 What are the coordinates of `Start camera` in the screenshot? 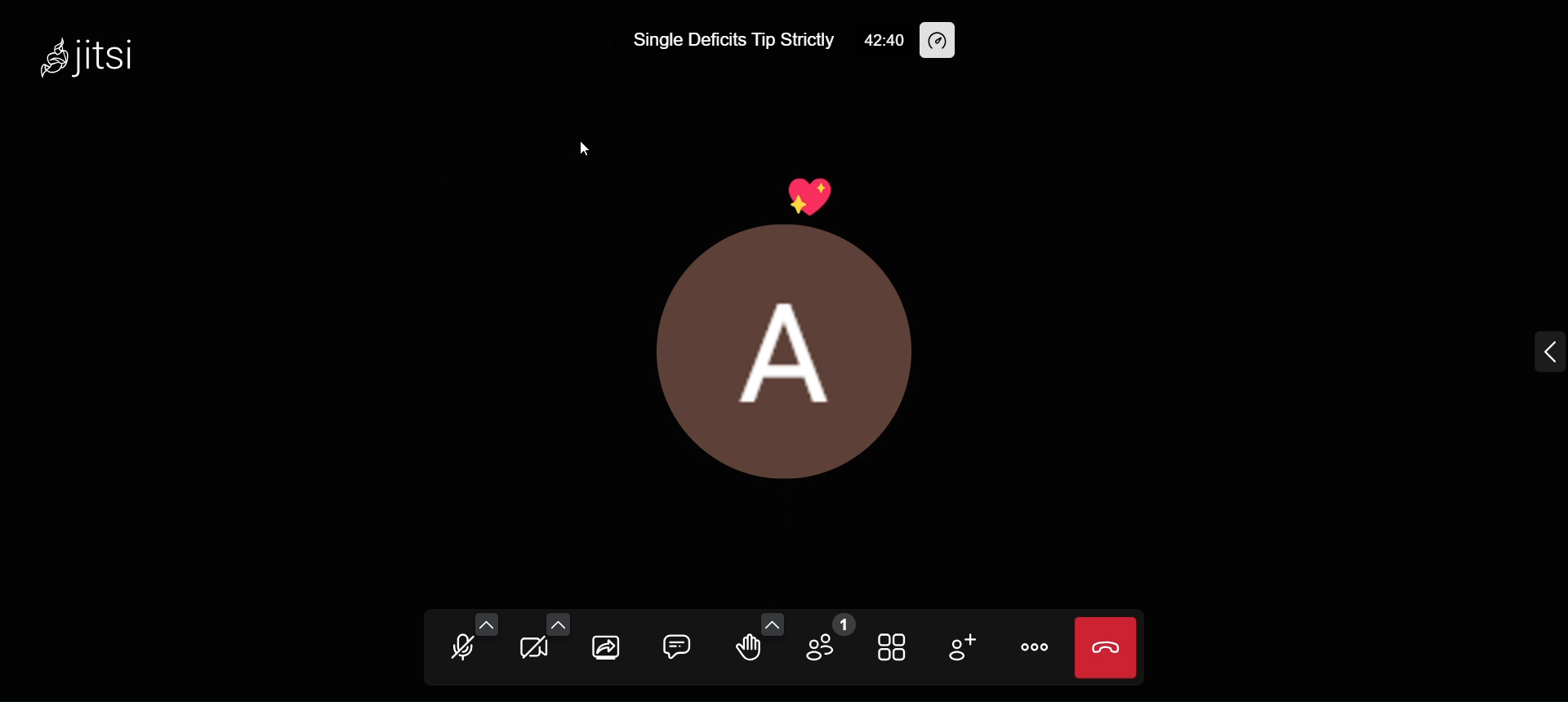 It's located at (532, 651).